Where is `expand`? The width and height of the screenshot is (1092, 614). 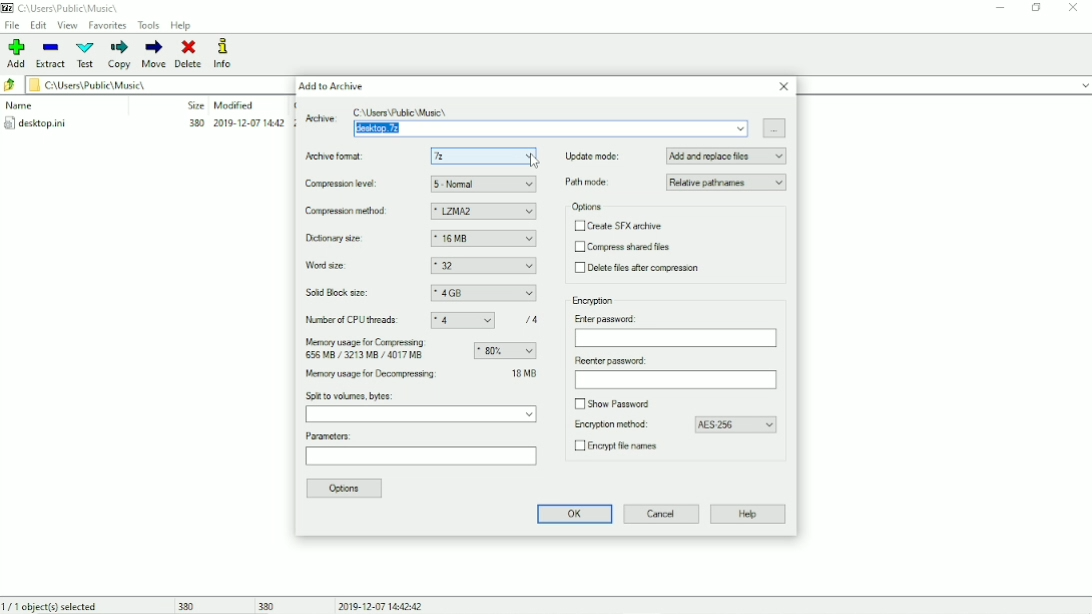 expand is located at coordinates (1084, 86).